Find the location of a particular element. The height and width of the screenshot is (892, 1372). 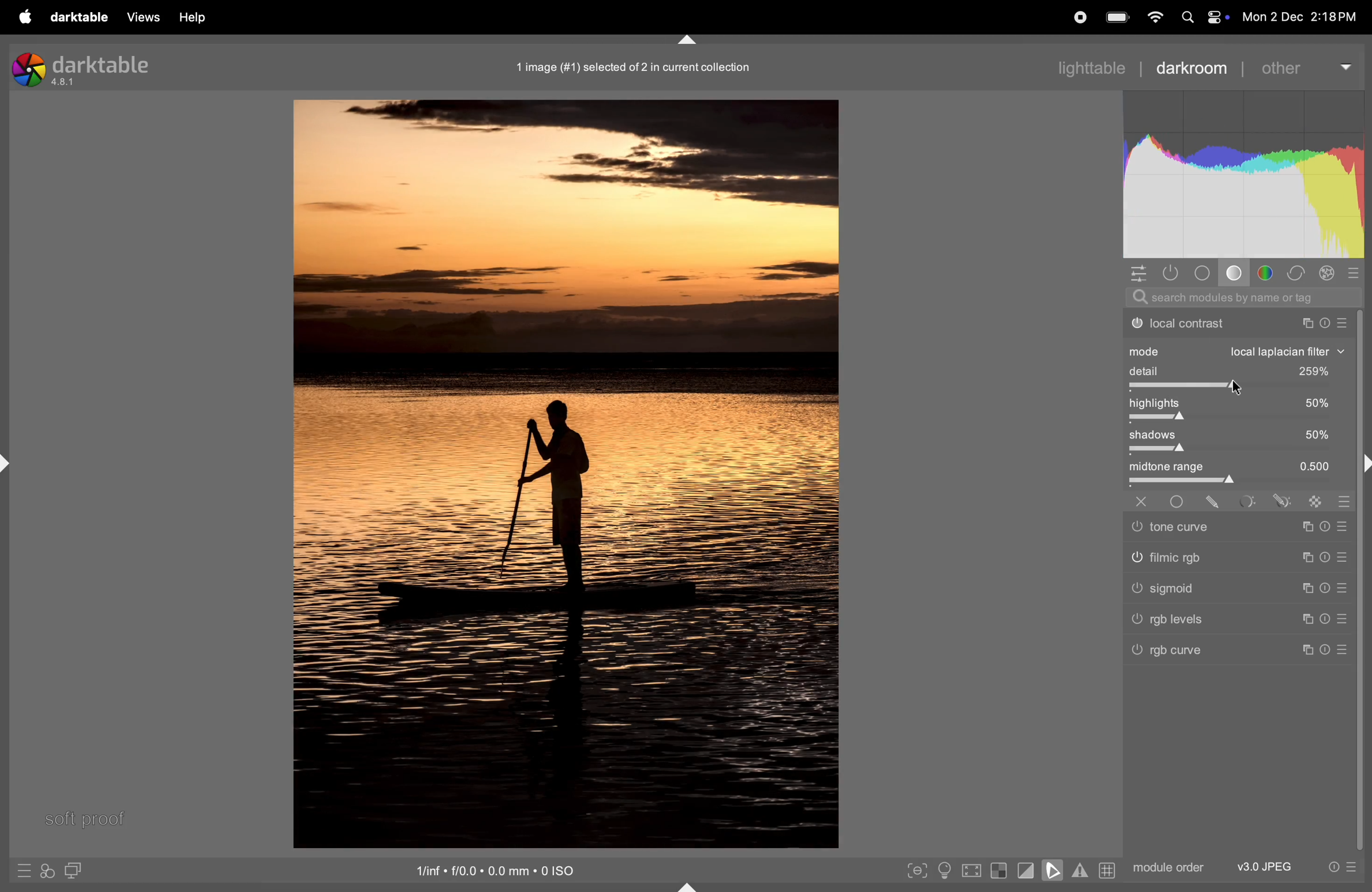

 is located at coordinates (1143, 500).